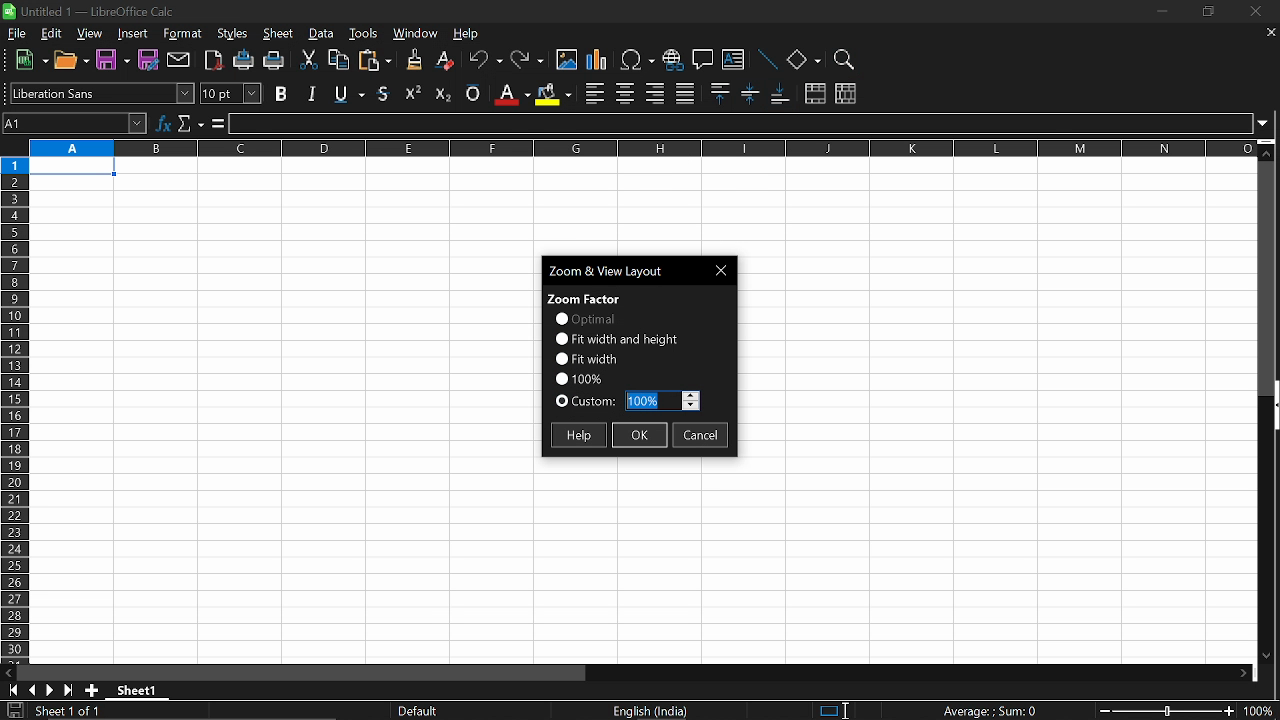 This screenshot has height=720, width=1280. Describe the element at coordinates (1272, 407) in the screenshot. I see `vertical scrollbar` at that location.